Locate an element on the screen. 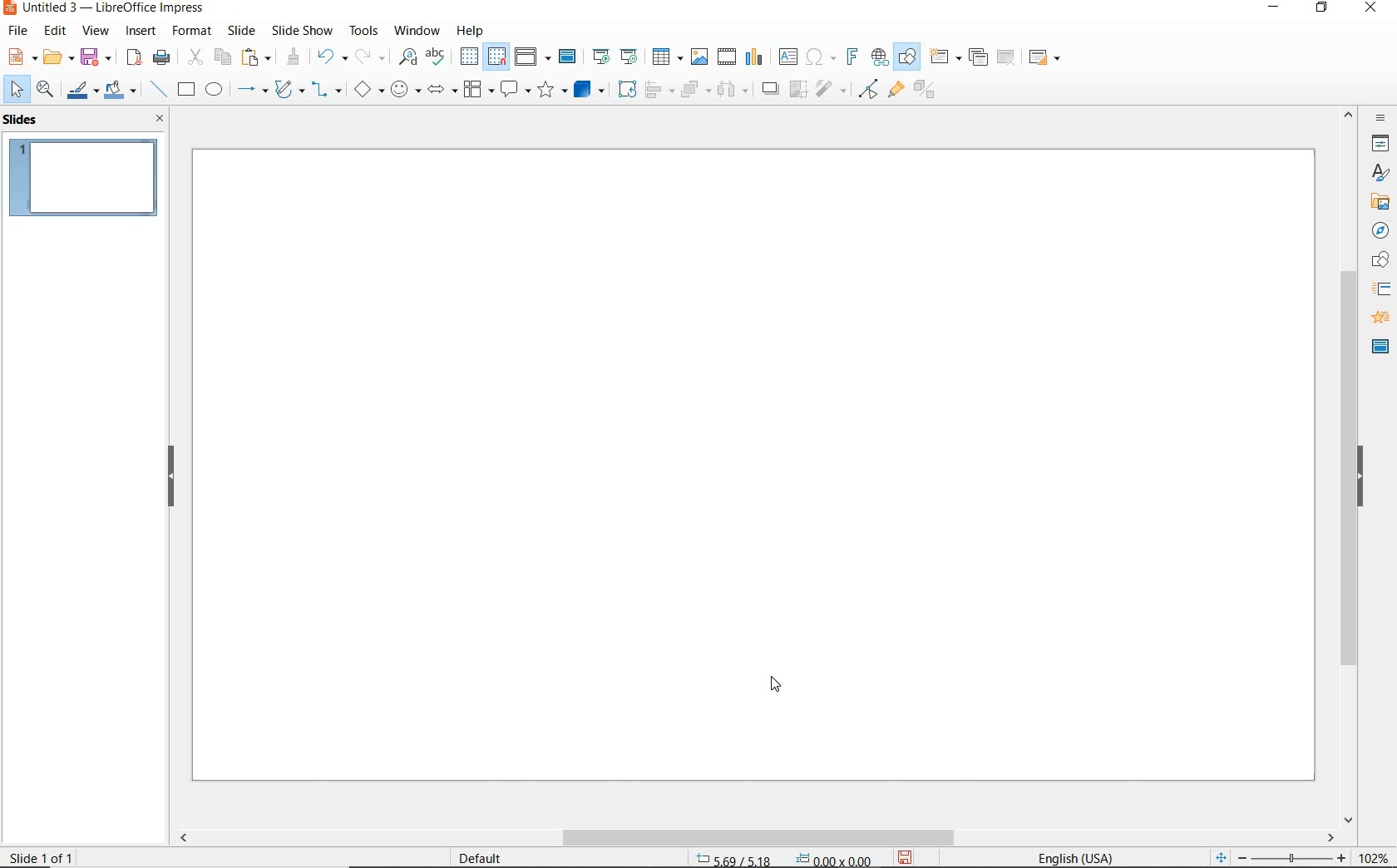 Image resolution: width=1397 pixels, height=868 pixels. FORMAT is located at coordinates (193, 31).